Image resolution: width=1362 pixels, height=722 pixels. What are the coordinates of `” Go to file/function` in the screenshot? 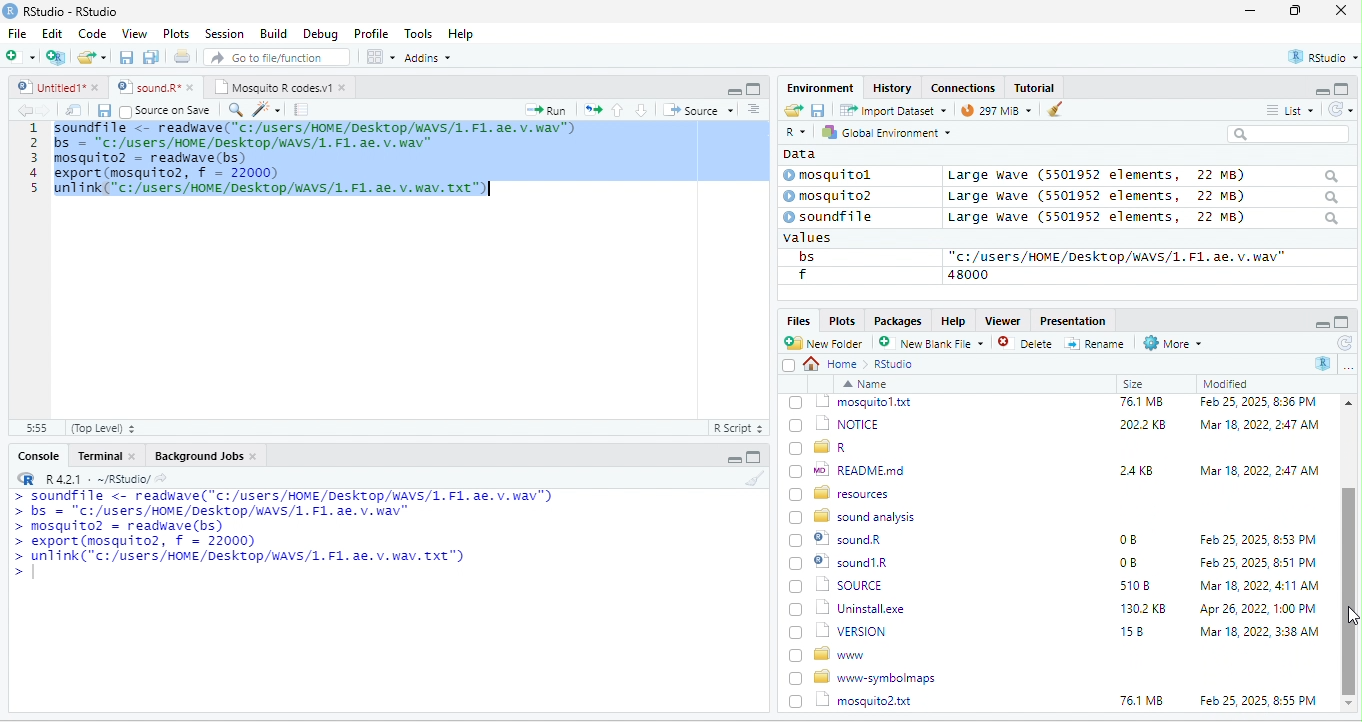 It's located at (278, 59).